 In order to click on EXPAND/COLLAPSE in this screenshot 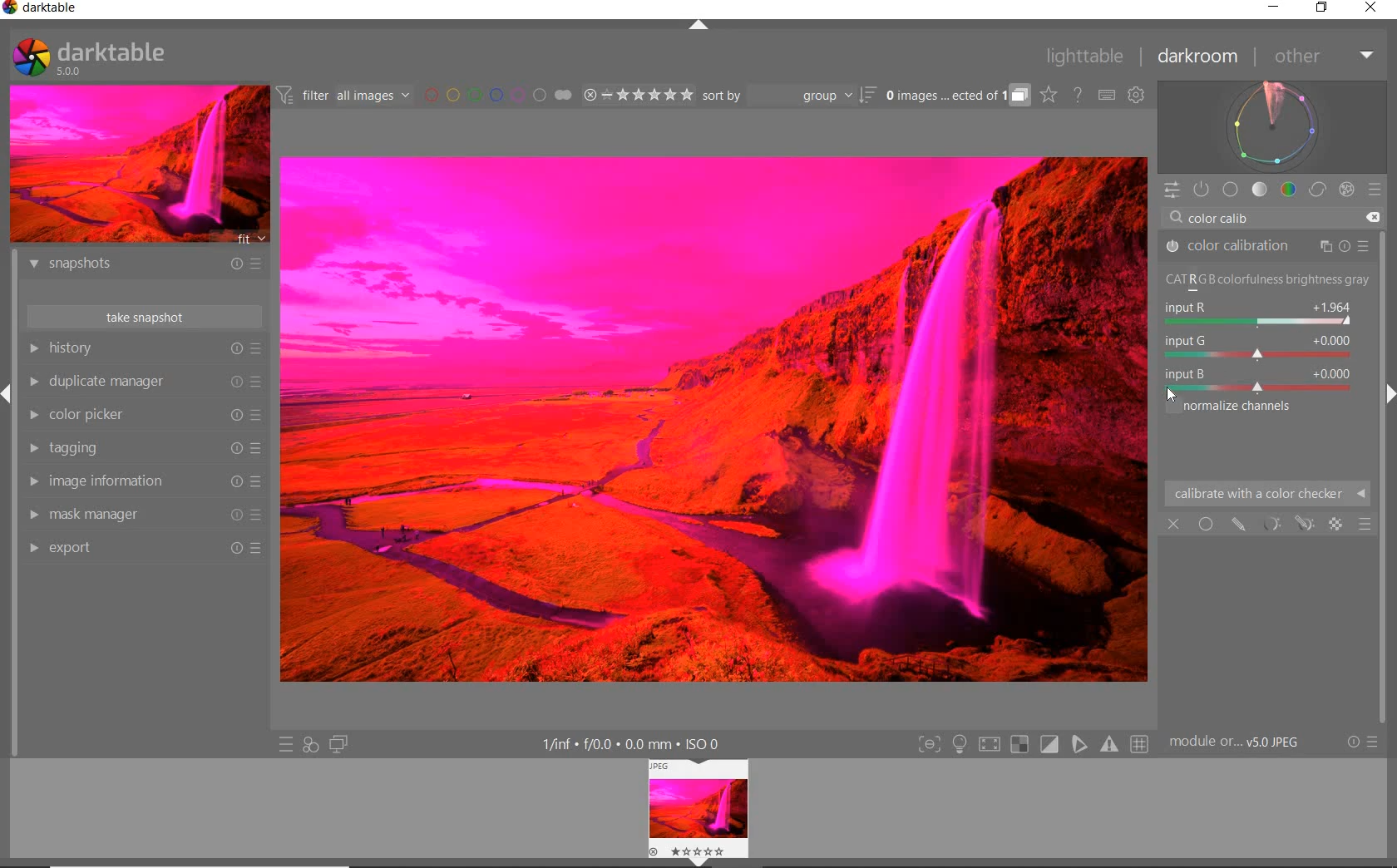, I will do `click(700, 28)`.